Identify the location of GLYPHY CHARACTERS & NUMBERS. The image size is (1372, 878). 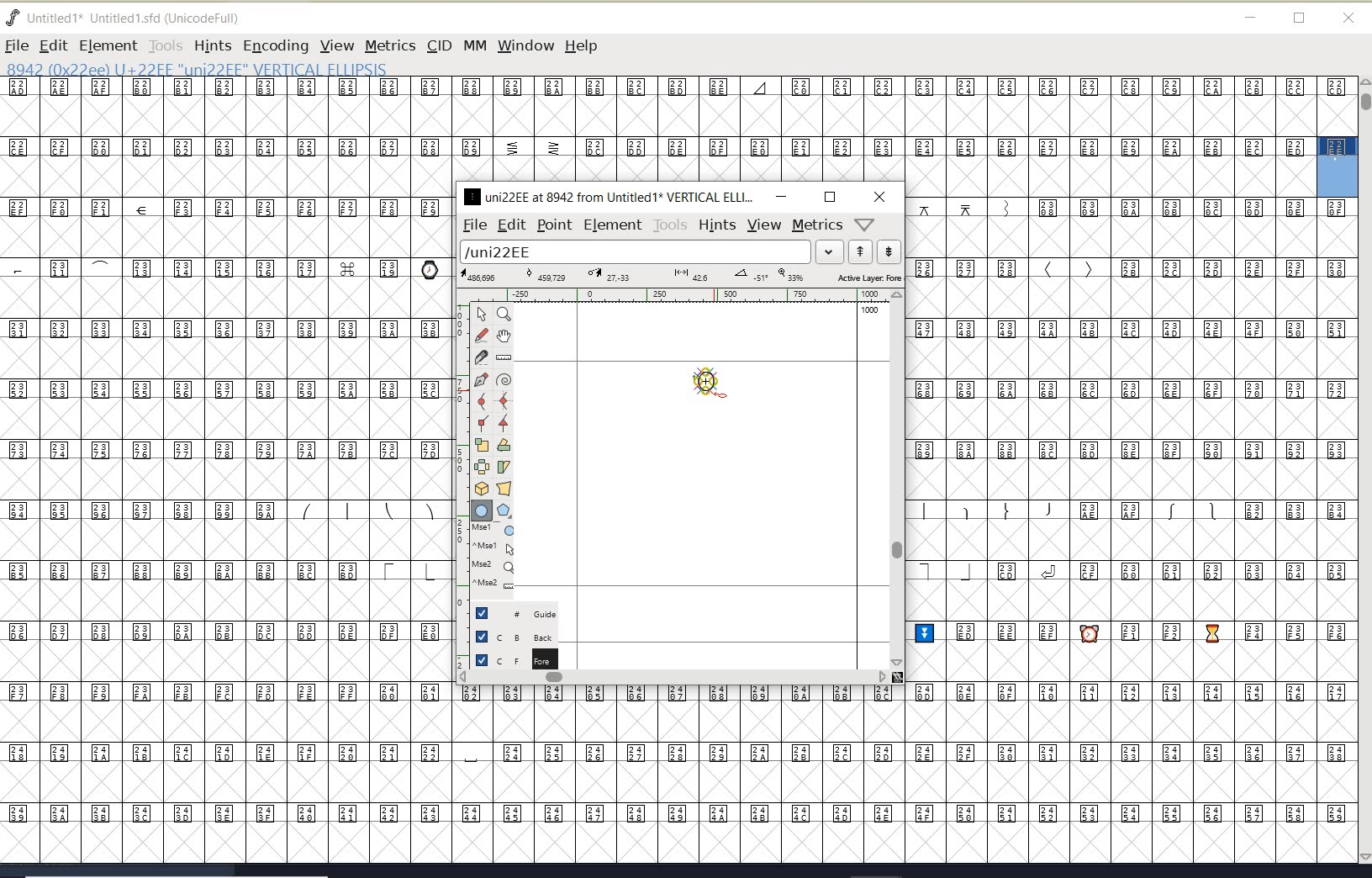
(223, 431).